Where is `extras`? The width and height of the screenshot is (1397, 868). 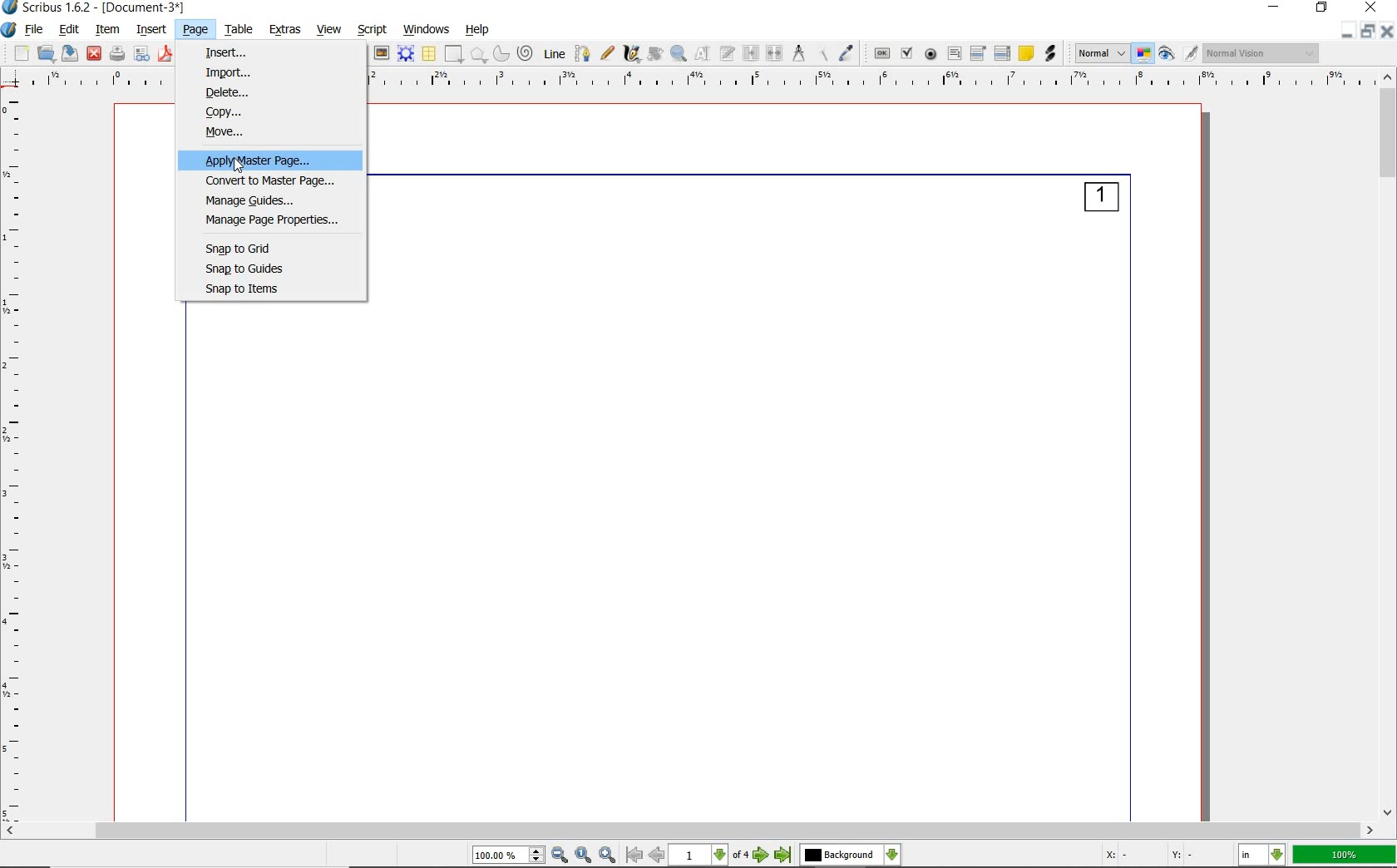 extras is located at coordinates (287, 30).